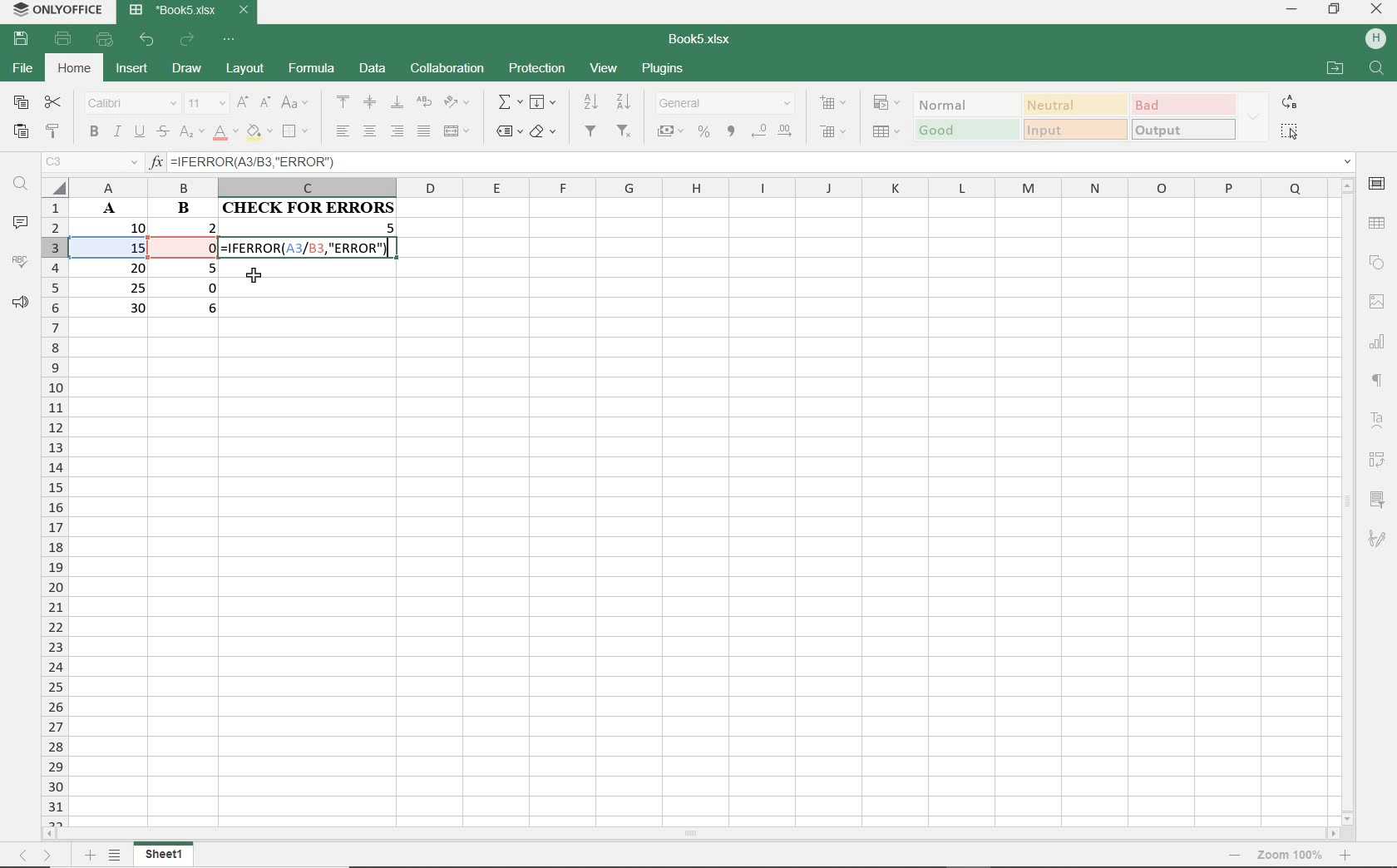 The image size is (1397, 868). What do you see at coordinates (1183, 104) in the screenshot?
I see `BAD` at bounding box center [1183, 104].